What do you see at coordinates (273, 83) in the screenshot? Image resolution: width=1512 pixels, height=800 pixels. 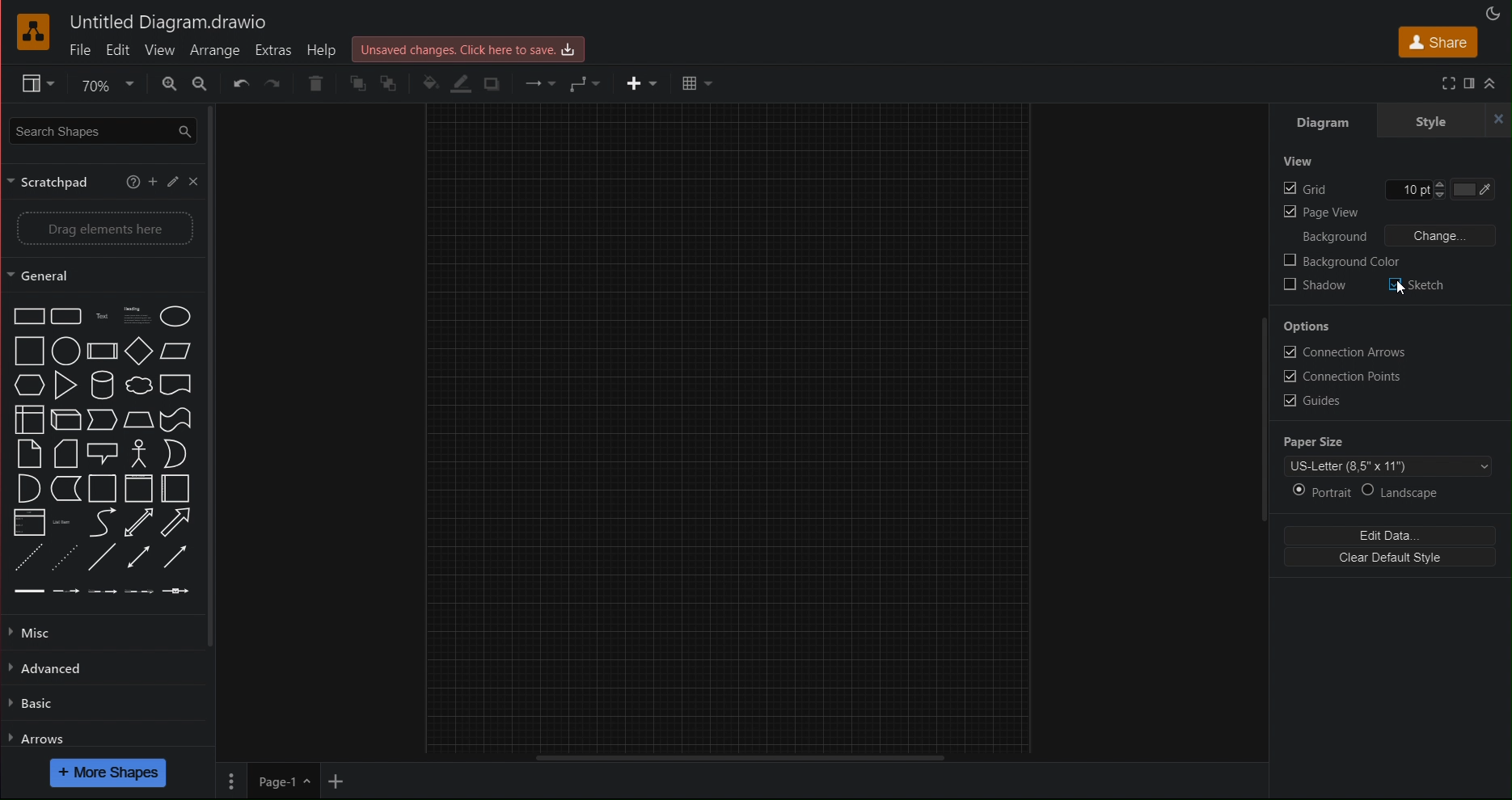 I see `Redo` at bounding box center [273, 83].